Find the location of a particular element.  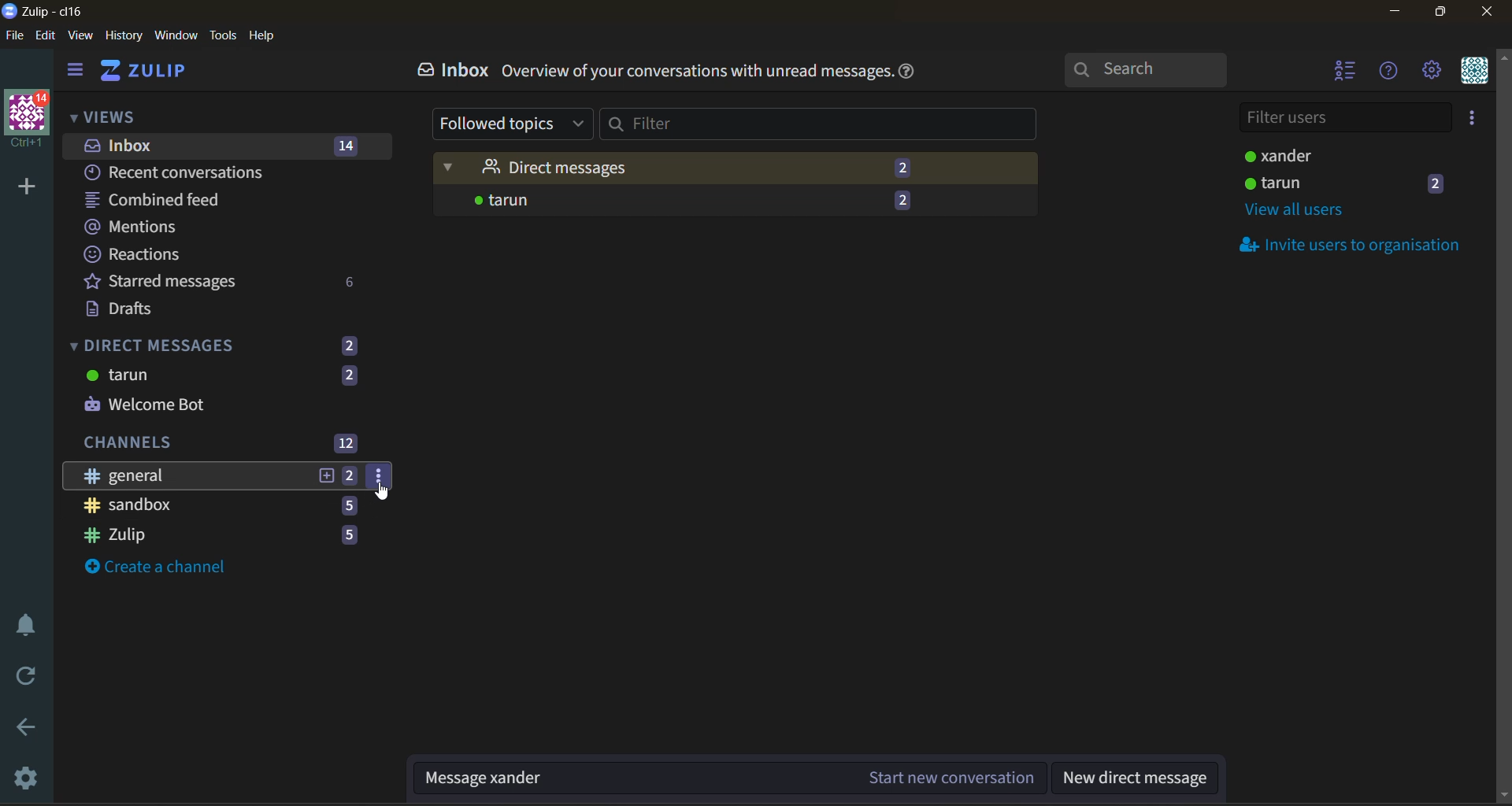

channels 12 is located at coordinates (221, 445).